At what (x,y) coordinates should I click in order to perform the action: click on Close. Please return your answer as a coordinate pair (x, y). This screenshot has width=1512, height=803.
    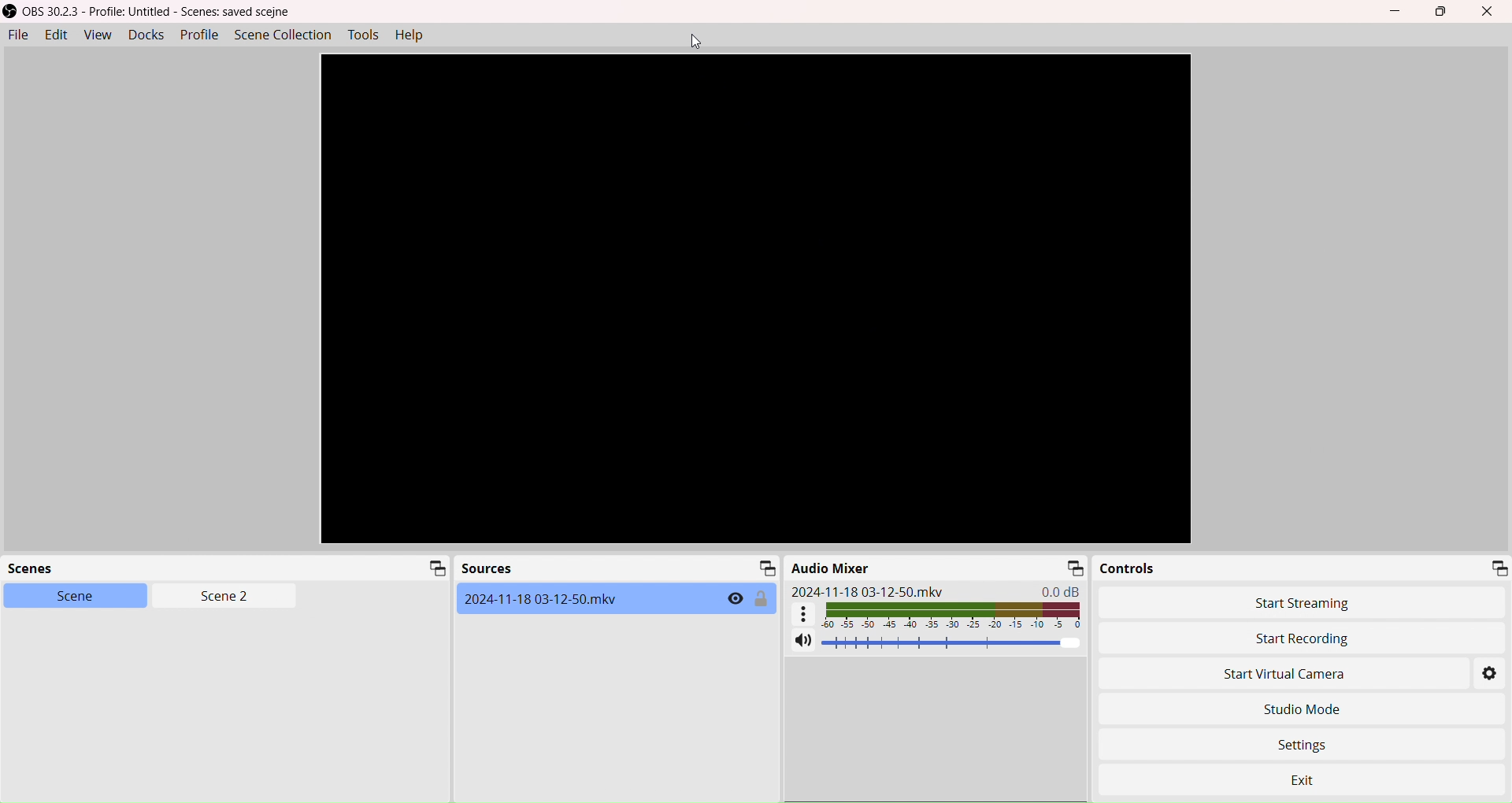
    Looking at the image, I should click on (1492, 12).